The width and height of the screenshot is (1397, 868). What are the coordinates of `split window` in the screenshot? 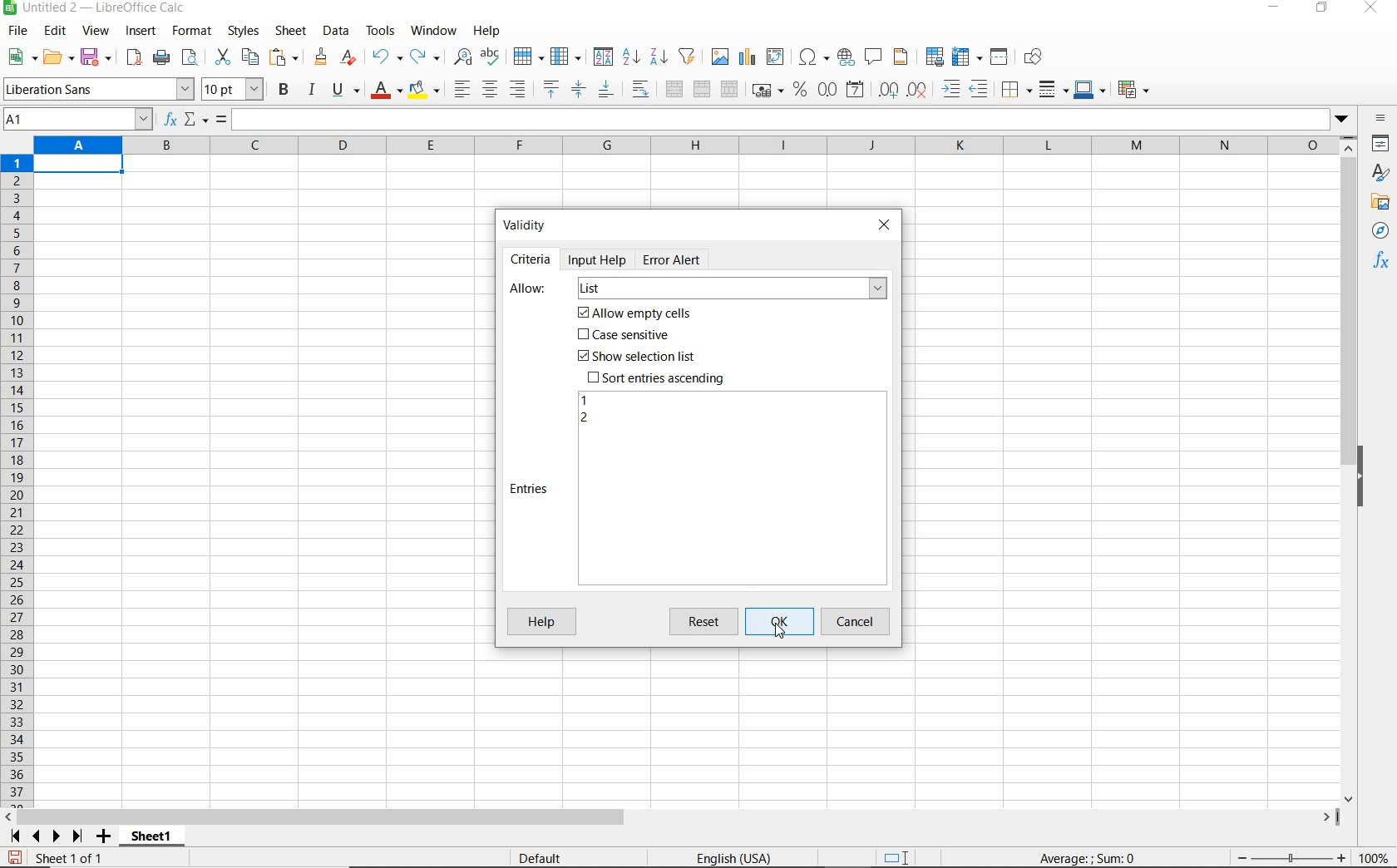 It's located at (1000, 57).